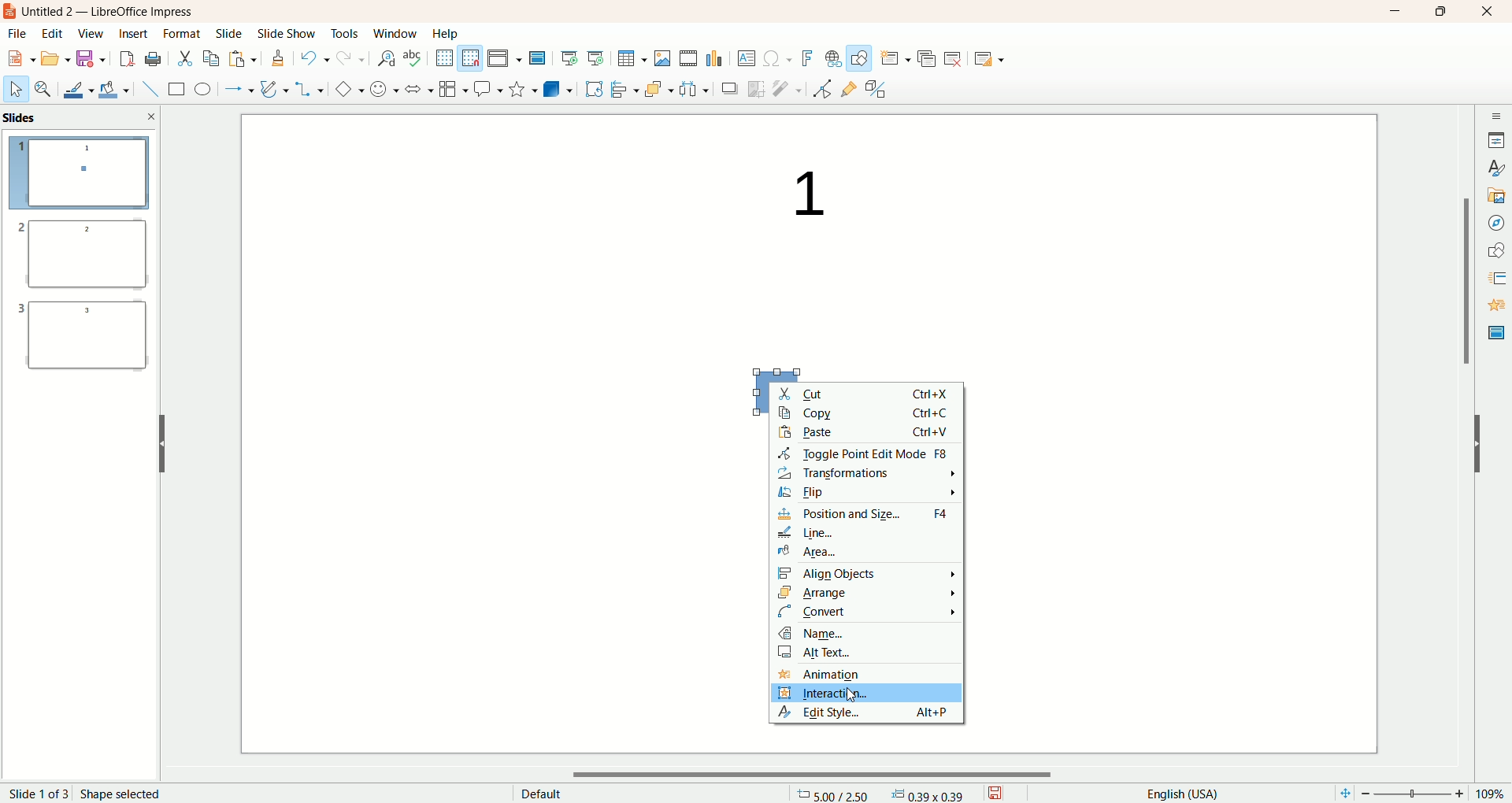 Image resolution: width=1512 pixels, height=803 pixels. Describe the element at coordinates (348, 61) in the screenshot. I see `redo` at that location.